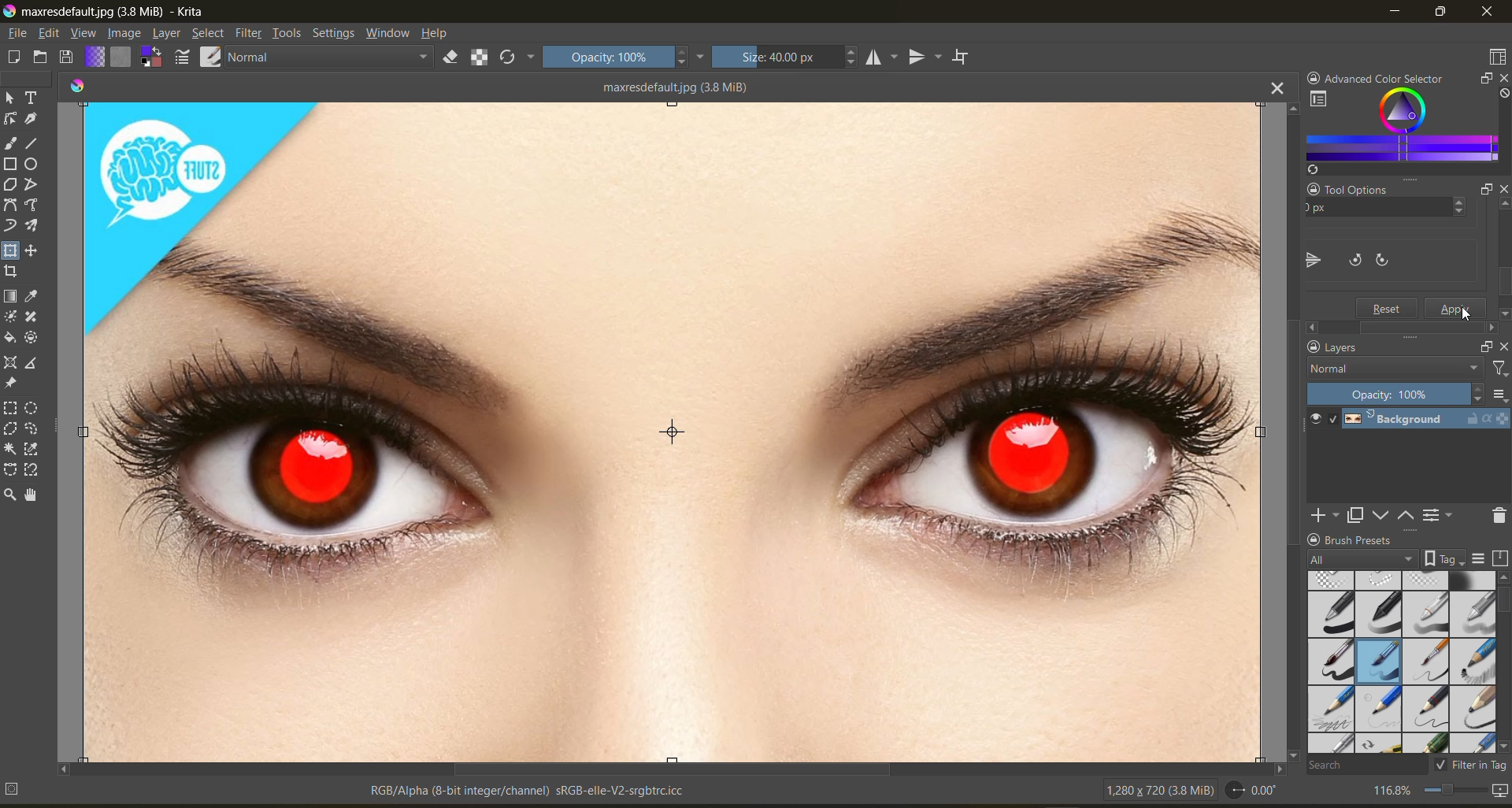 Image resolution: width=1512 pixels, height=808 pixels. I want to click on normal, so click(335, 57).